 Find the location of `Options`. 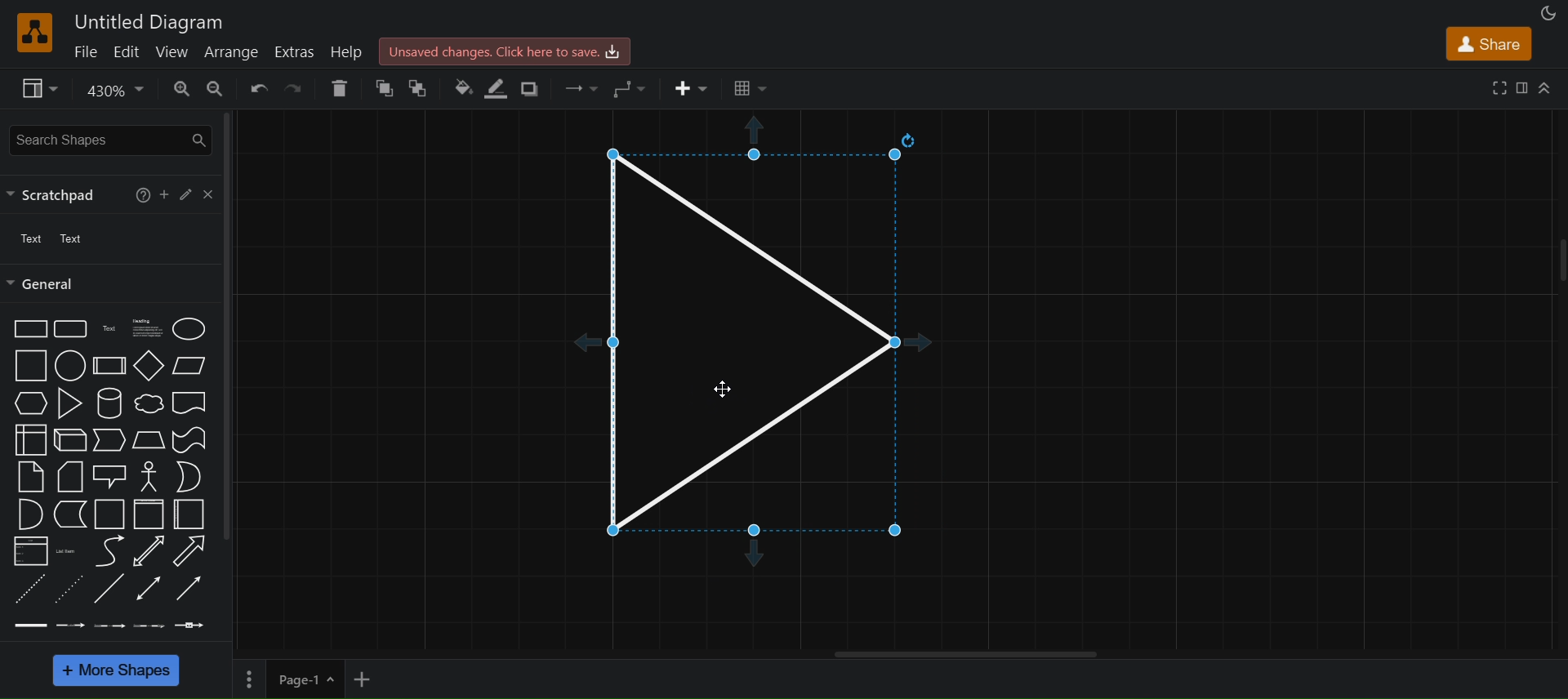

Options is located at coordinates (250, 676).